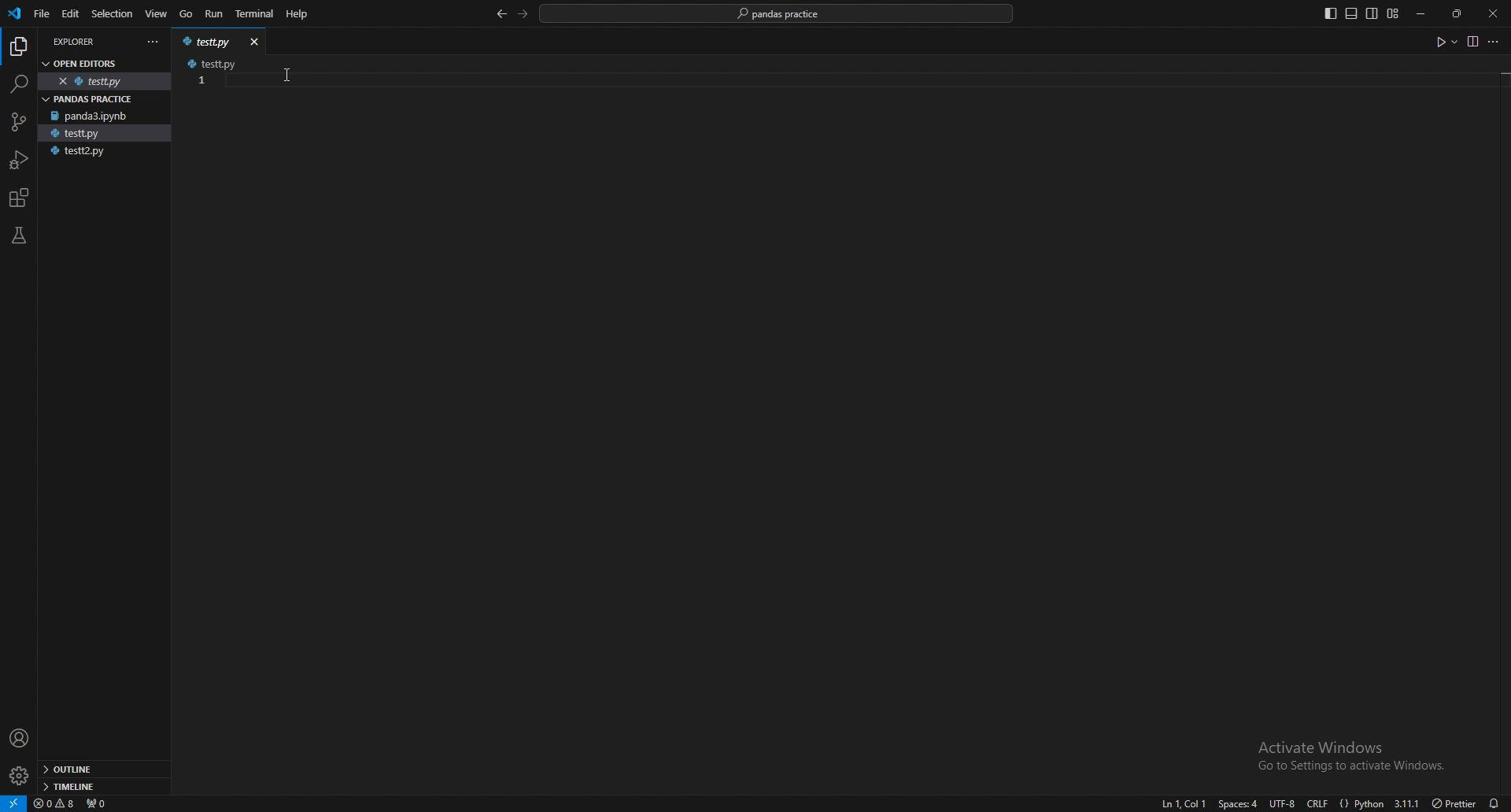 This screenshot has height=812, width=1511. Describe the element at coordinates (1425, 14) in the screenshot. I see `minimize` at that location.